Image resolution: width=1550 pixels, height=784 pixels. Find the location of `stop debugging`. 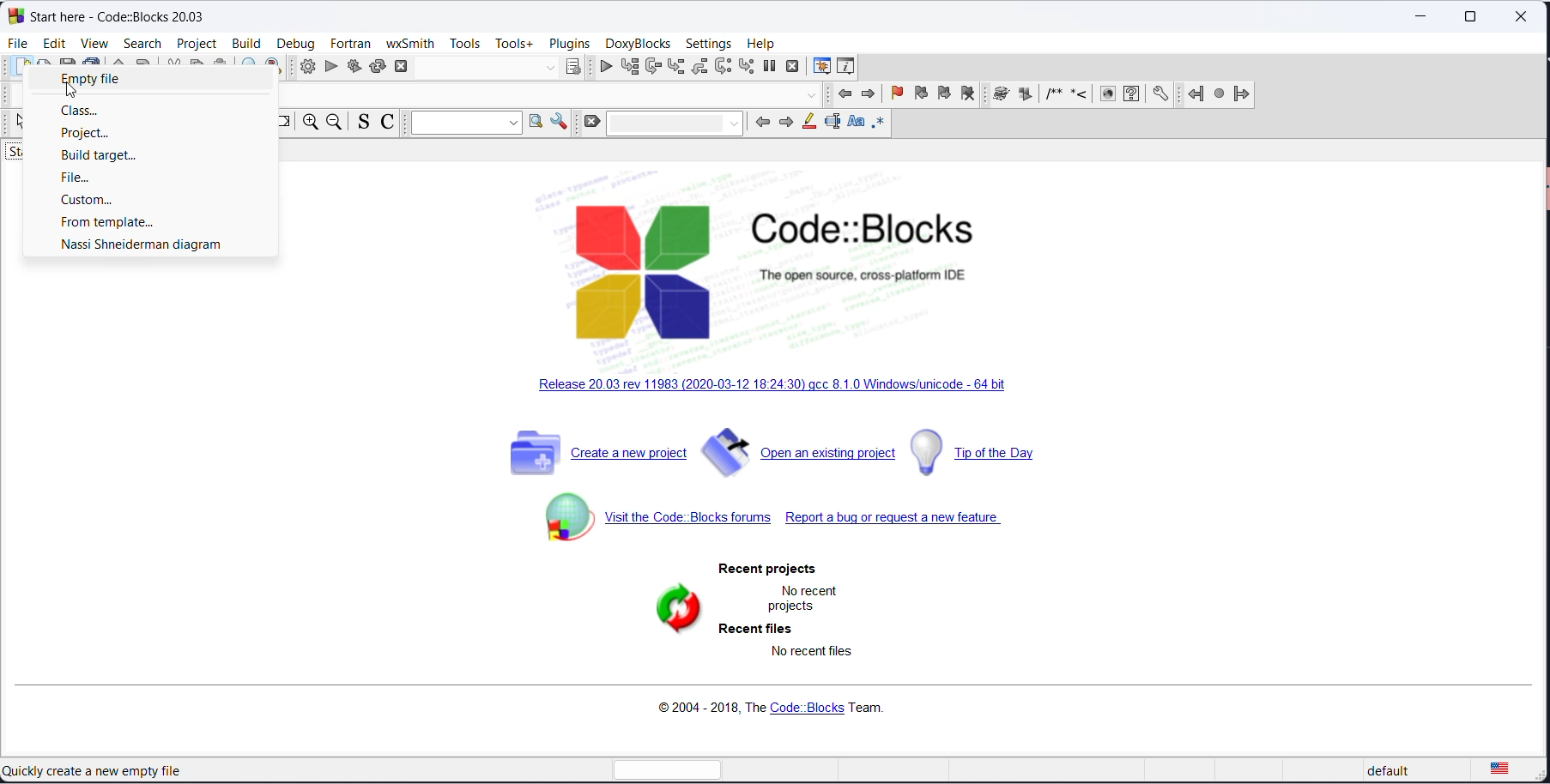

stop debugging is located at coordinates (793, 69).